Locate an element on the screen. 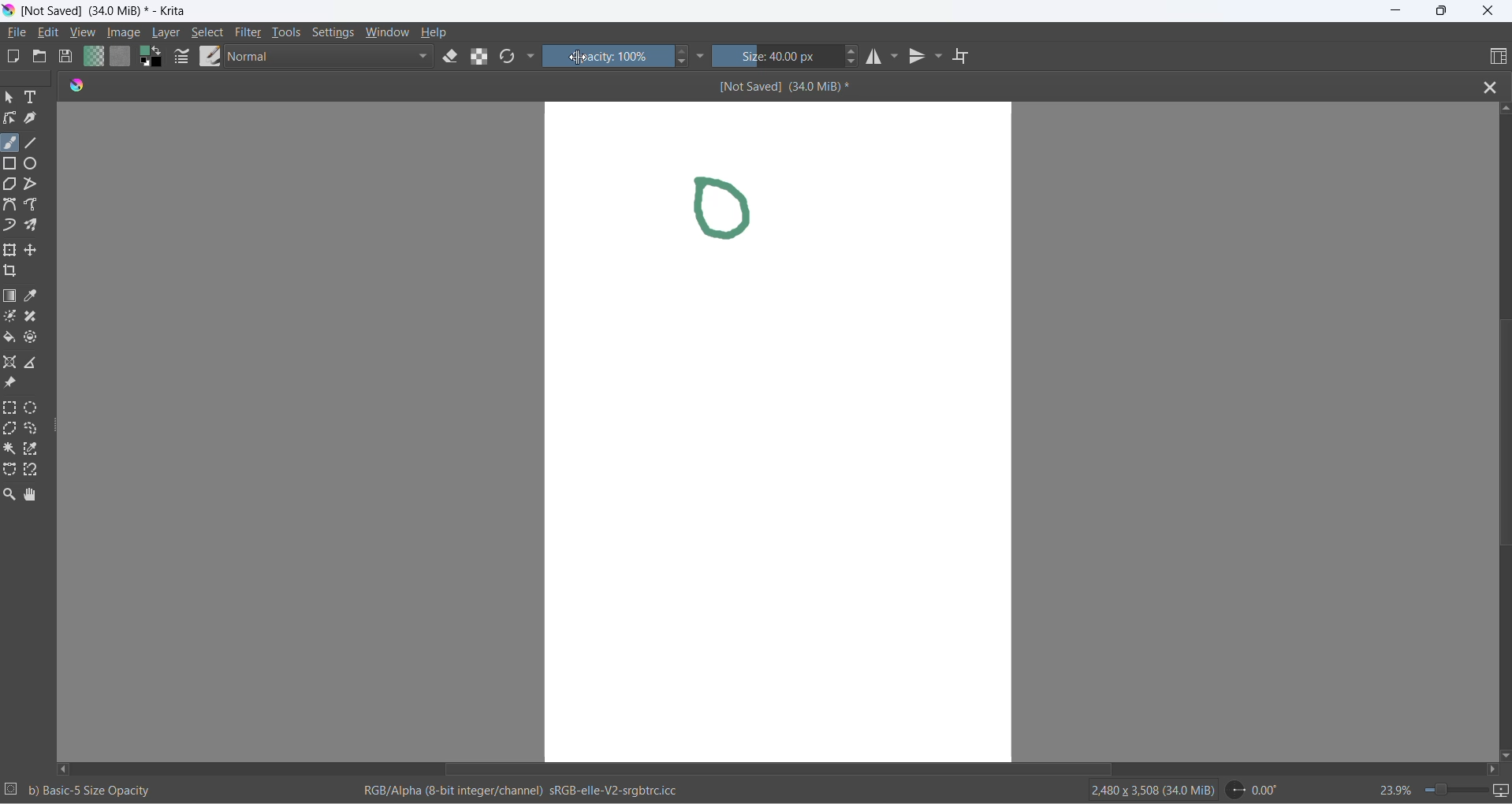 The image size is (1512, 804). scroll up button is located at coordinates (1503, 109).